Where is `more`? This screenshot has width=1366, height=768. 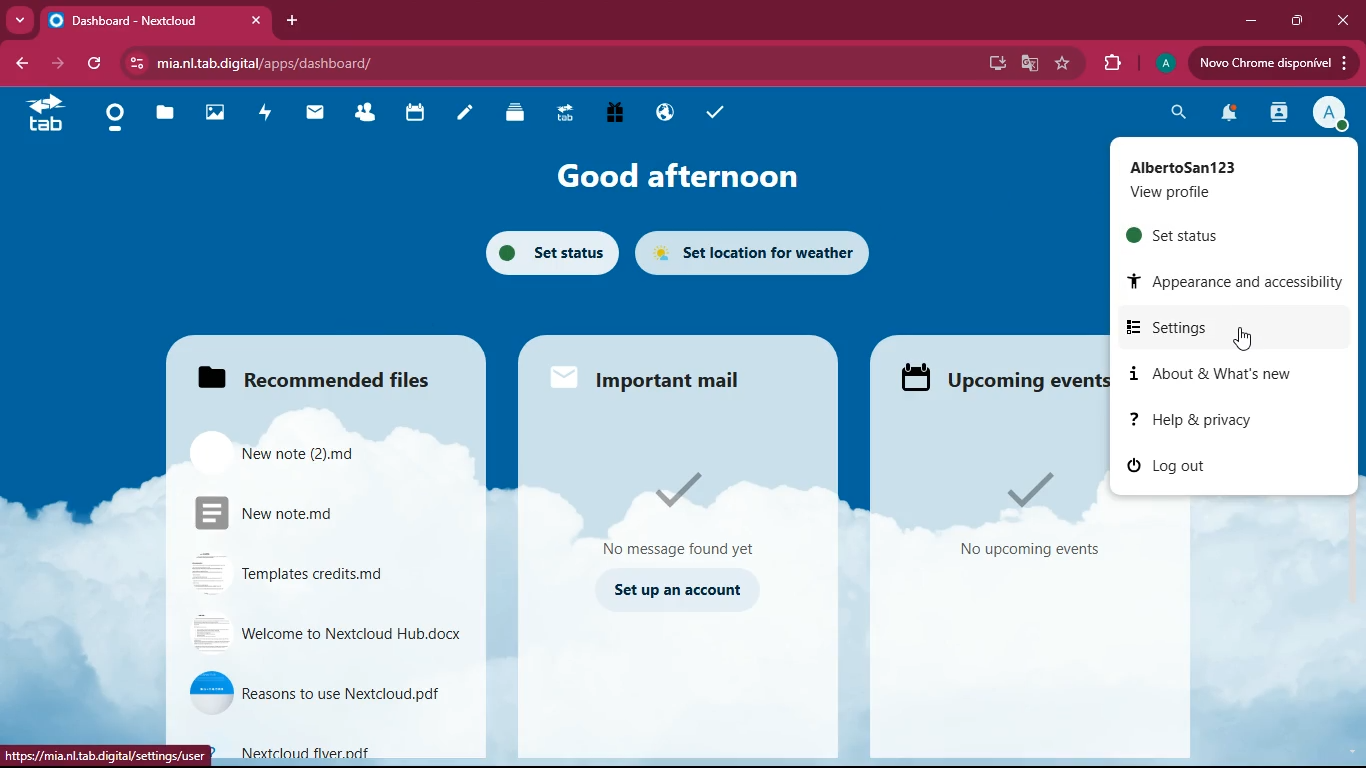
more is located at coordinates (16, 21).